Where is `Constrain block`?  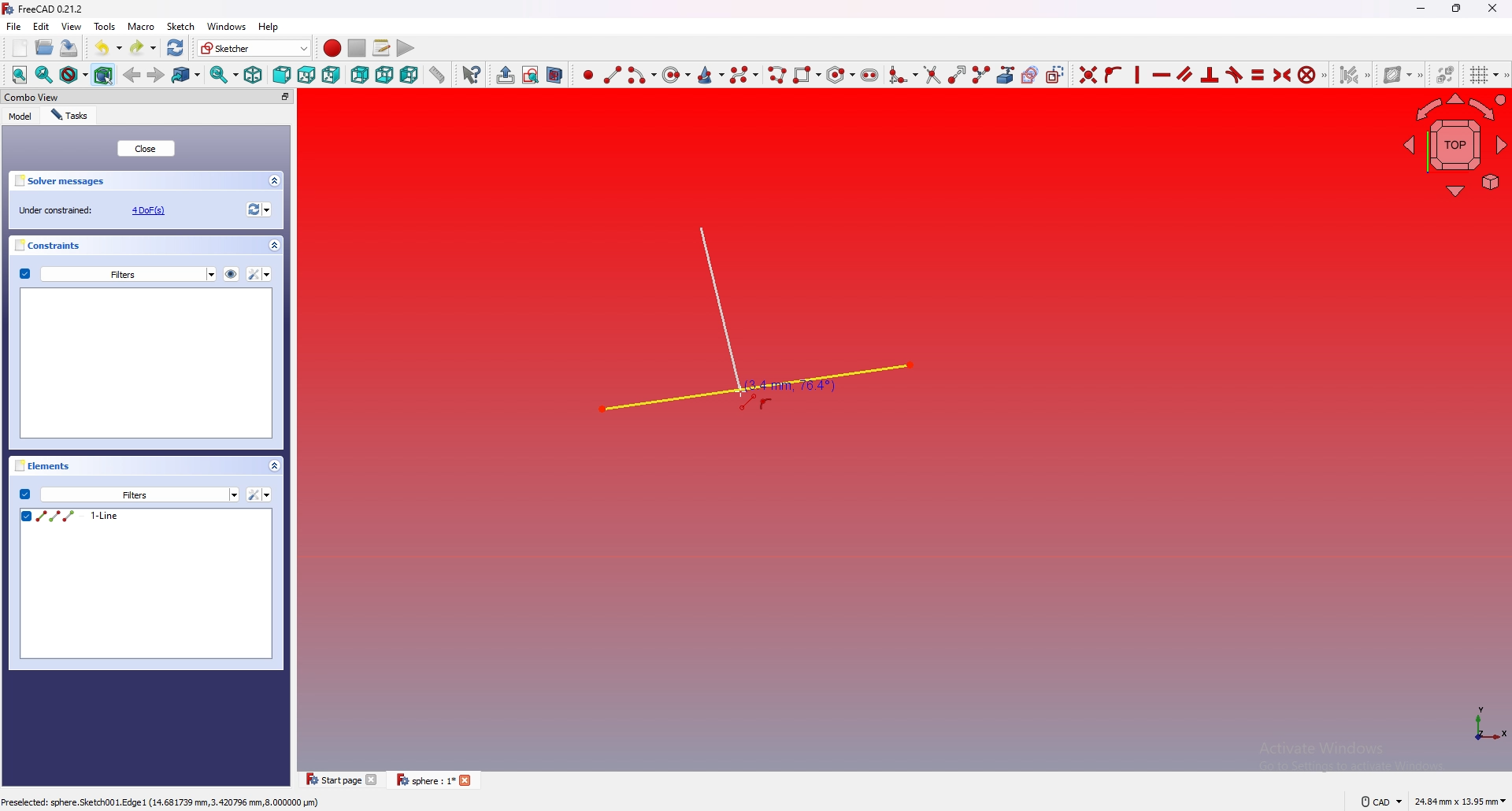 Constrain block is located at coordinates (1311, 74).